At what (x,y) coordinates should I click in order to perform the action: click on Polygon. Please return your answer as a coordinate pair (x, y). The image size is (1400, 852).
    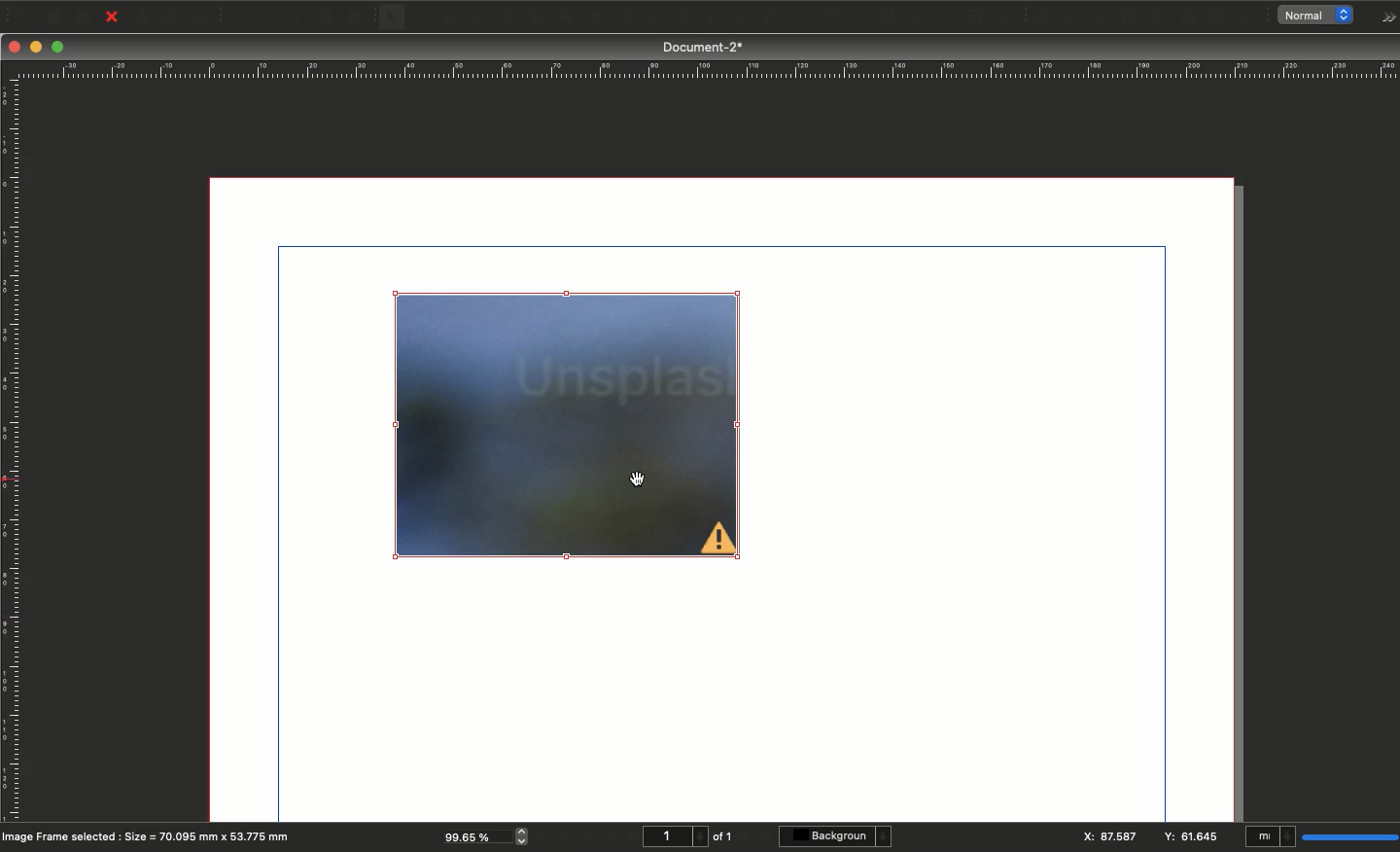
    Looking at the image, I should click on (567, 18).